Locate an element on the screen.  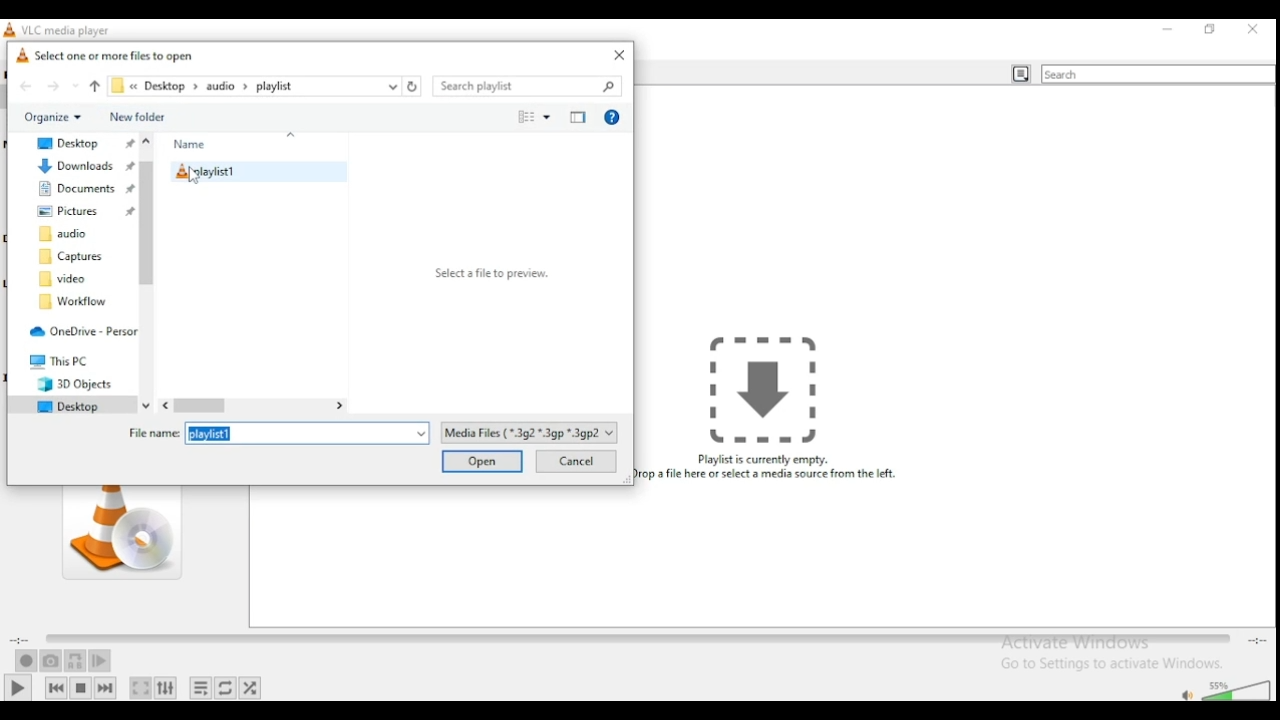
captures is located at coordinates (75, 256).